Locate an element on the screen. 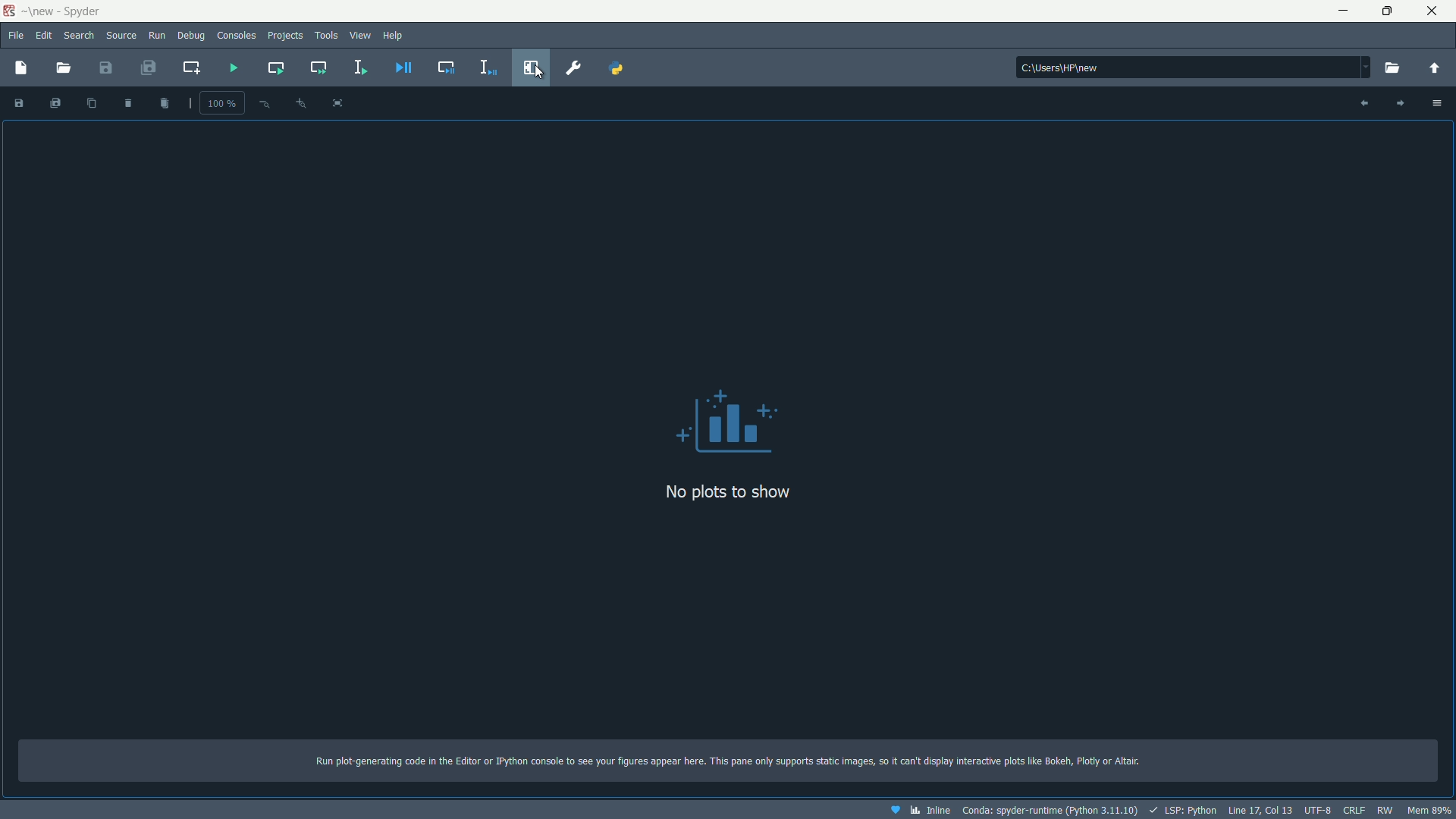 Image resolution: width=1456 pixels, height=819 pixels. help is located at coordinates (394, 35).